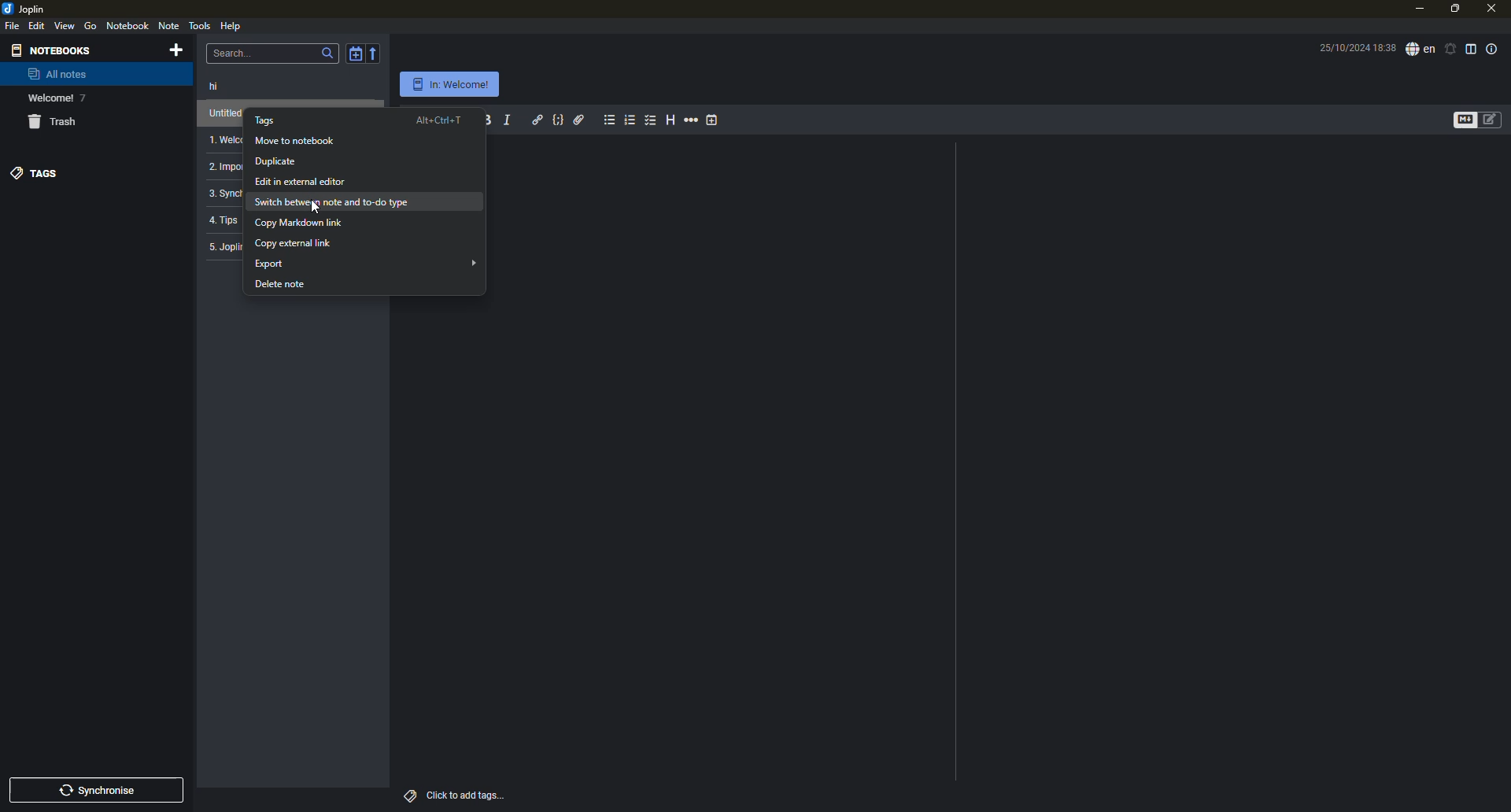 The height and width of the screenshot is (812, 1511). I want to click on hi, so click(215, 87).